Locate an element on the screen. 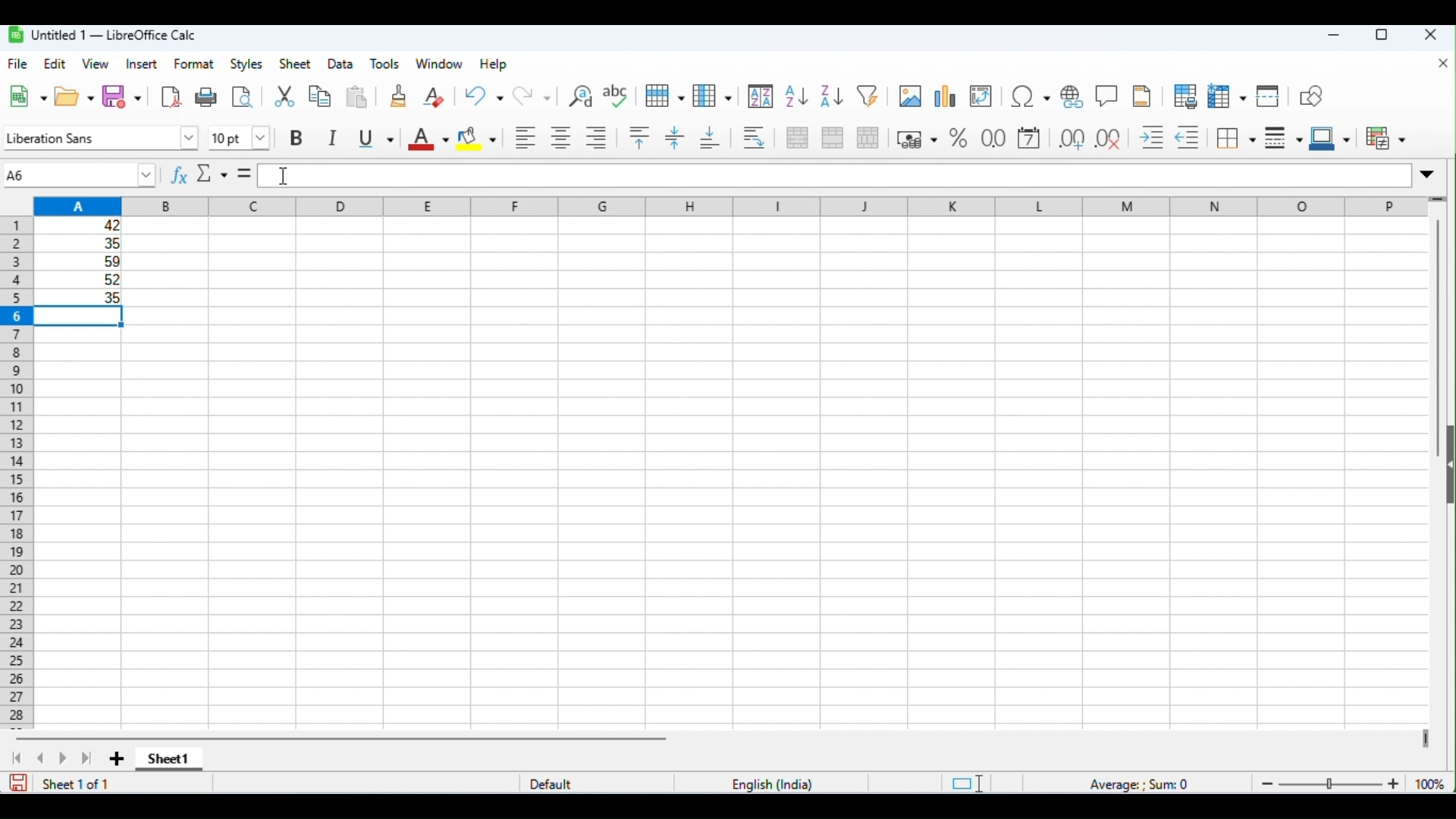 This screenshot has width=1456, height=819. maximize is located at coordinates (1382, 36).